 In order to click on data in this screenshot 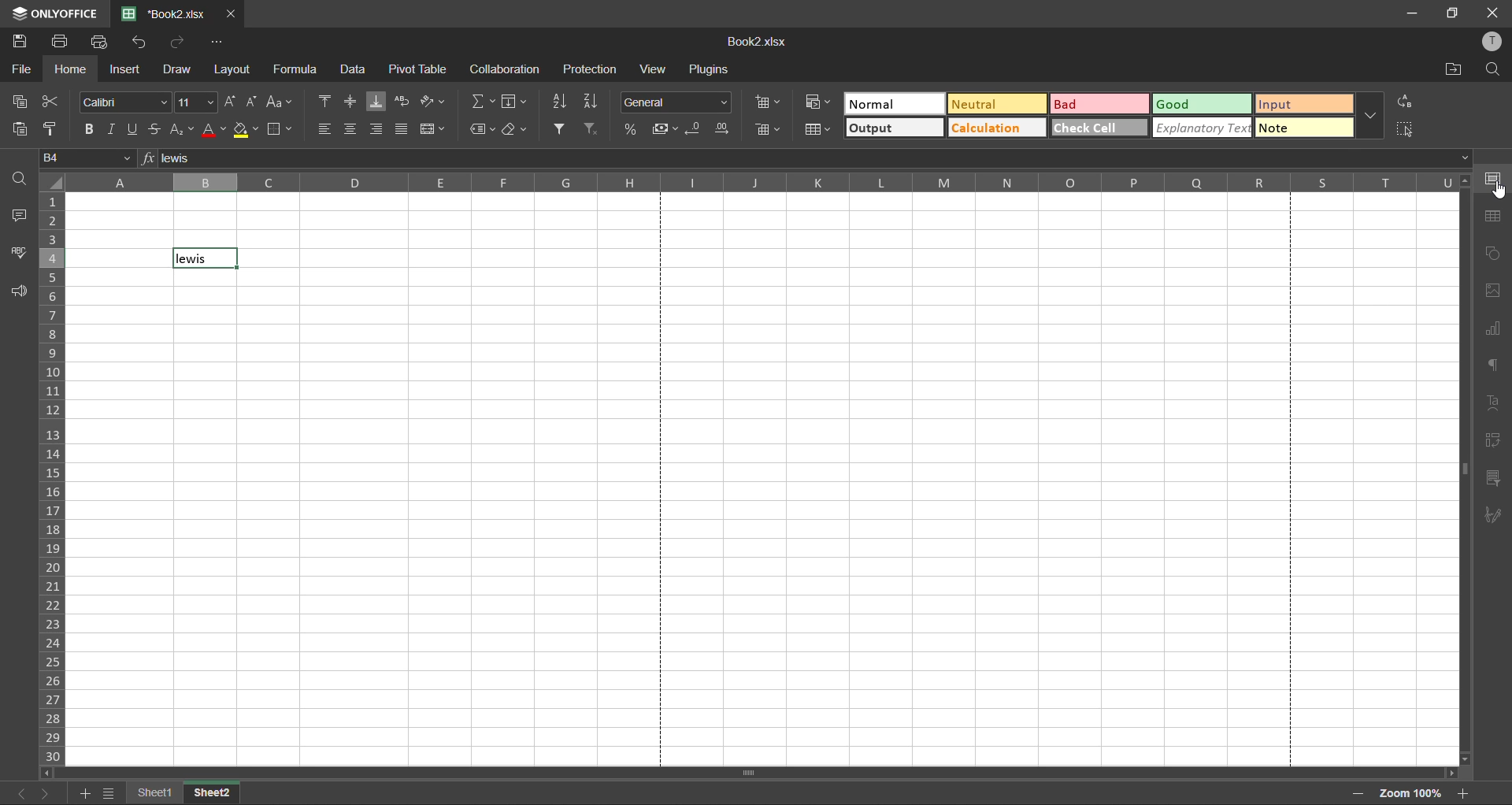, I will do `click(353, 69)`.